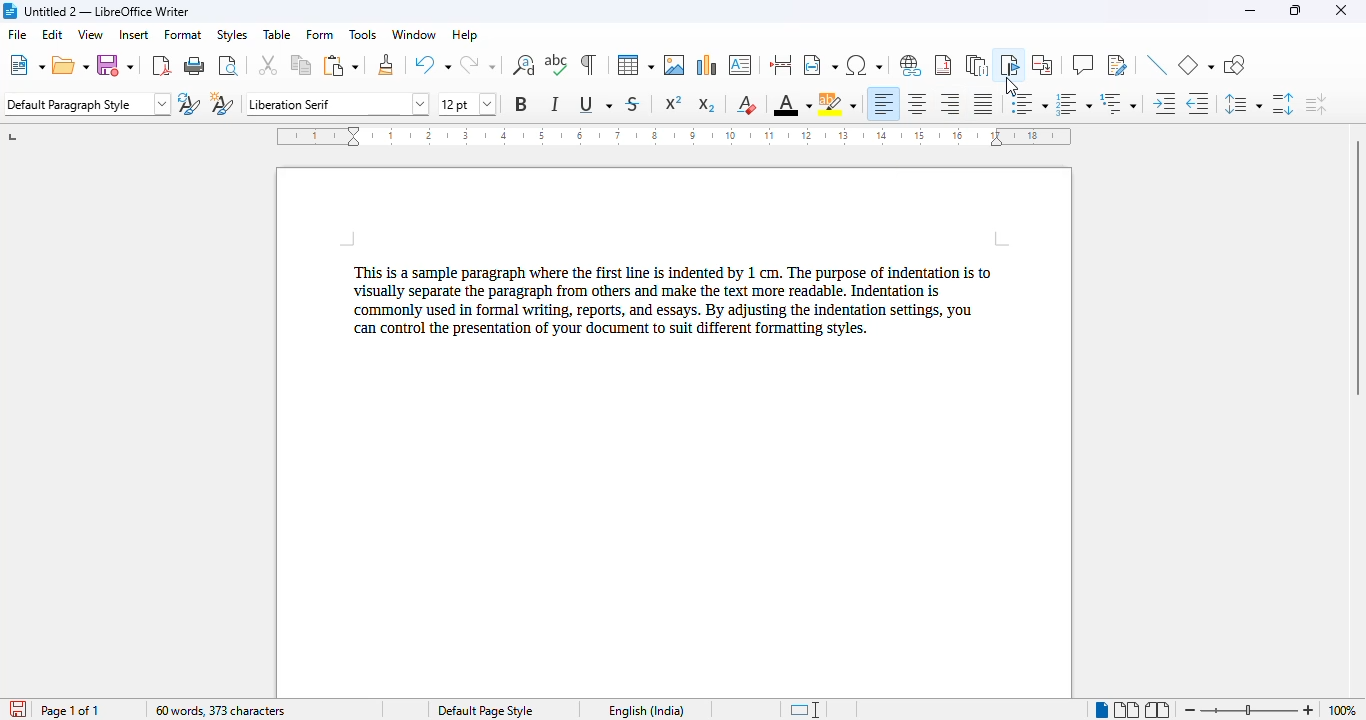  What do you see at coordinates (674, 103) in the screenshot?
I see `superscript` at bounding box center [674, 103].